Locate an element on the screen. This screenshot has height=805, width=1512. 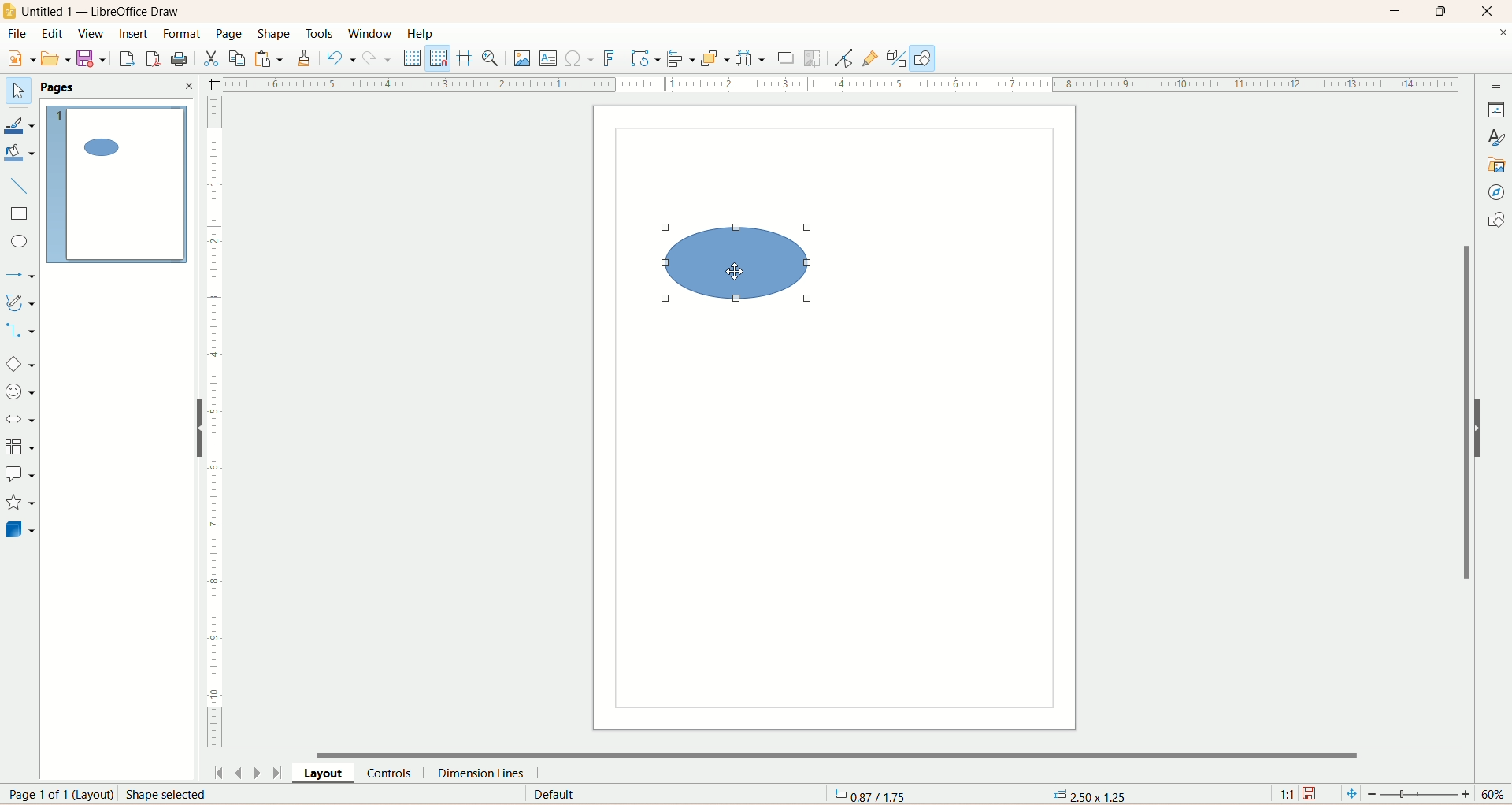
scale bar is located at coordinates (842, 85).